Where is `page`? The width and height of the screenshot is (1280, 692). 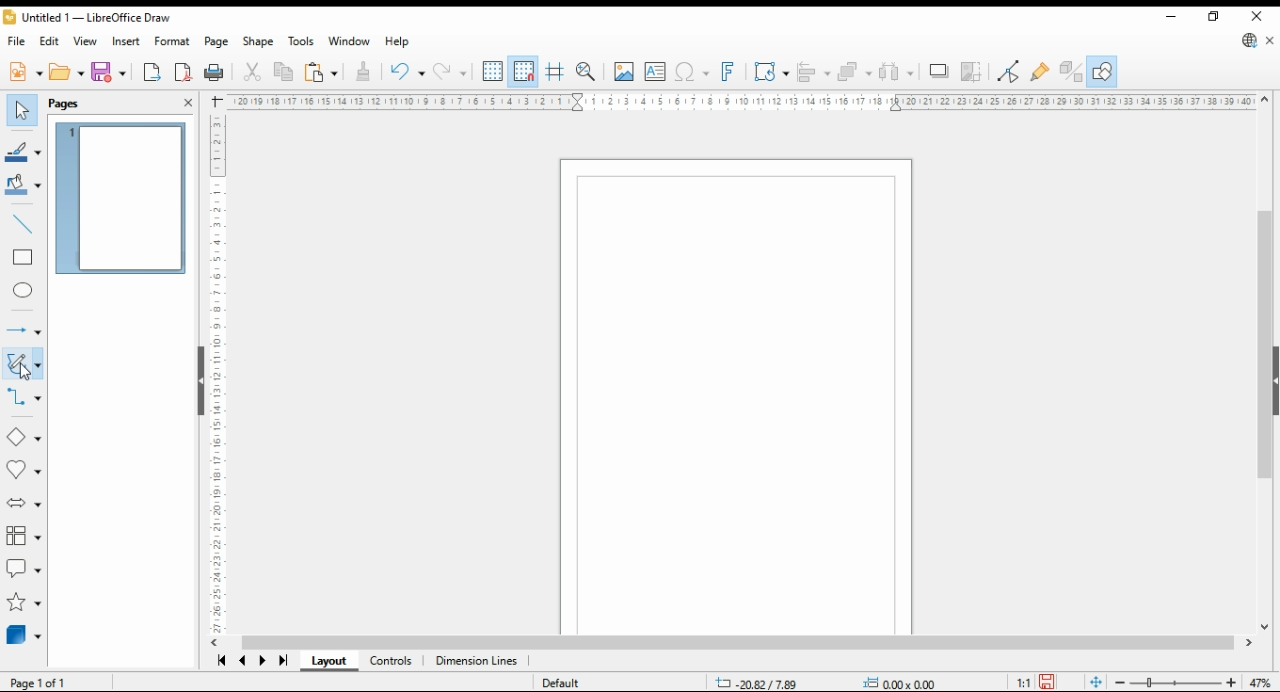
page is located at coordinates (216, 41).